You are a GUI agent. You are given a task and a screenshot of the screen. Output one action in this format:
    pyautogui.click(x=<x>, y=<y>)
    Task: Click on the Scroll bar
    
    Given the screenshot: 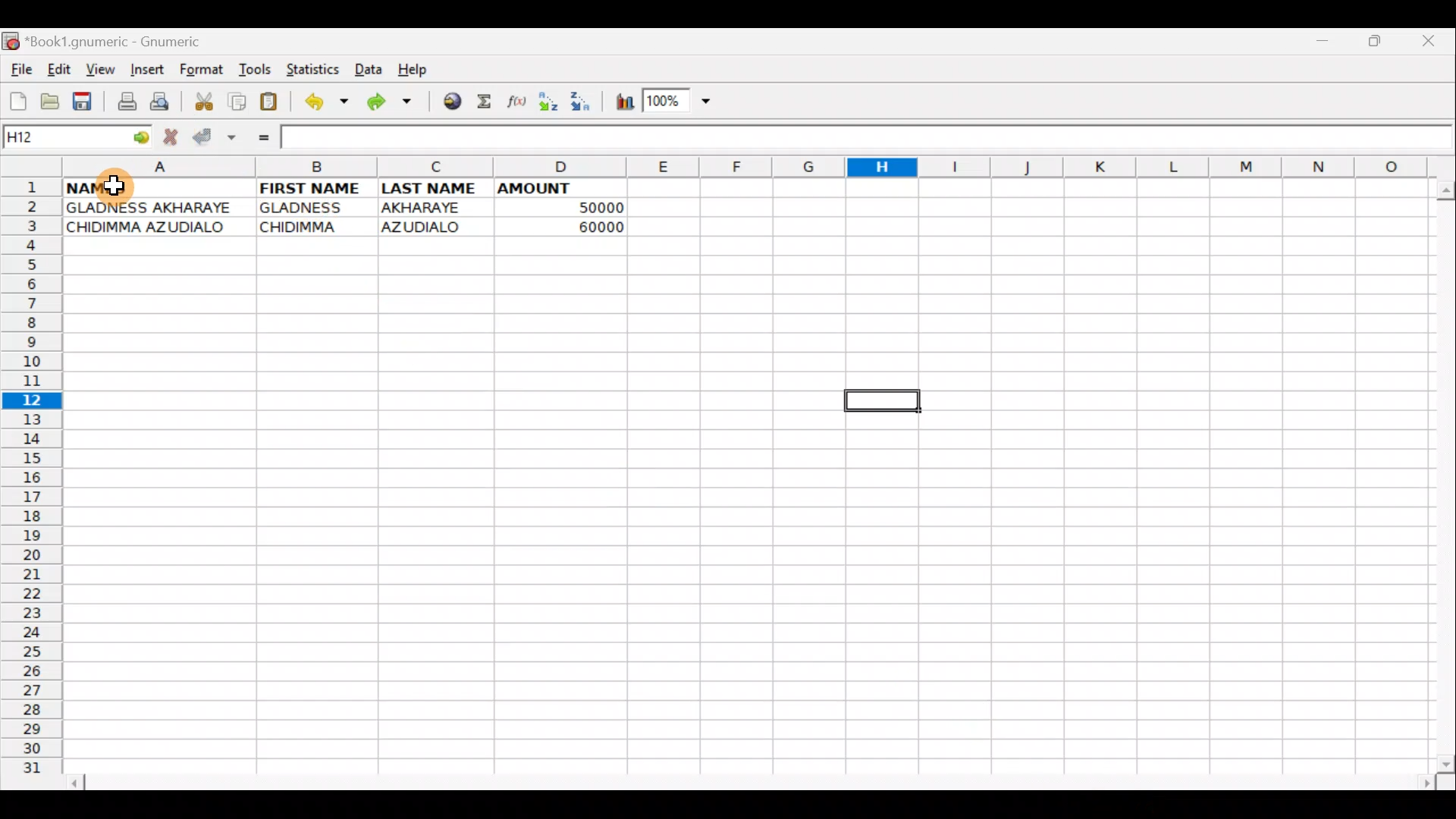 What is the action you would take?
    pyautogui.click(x=1437, y=475)
    